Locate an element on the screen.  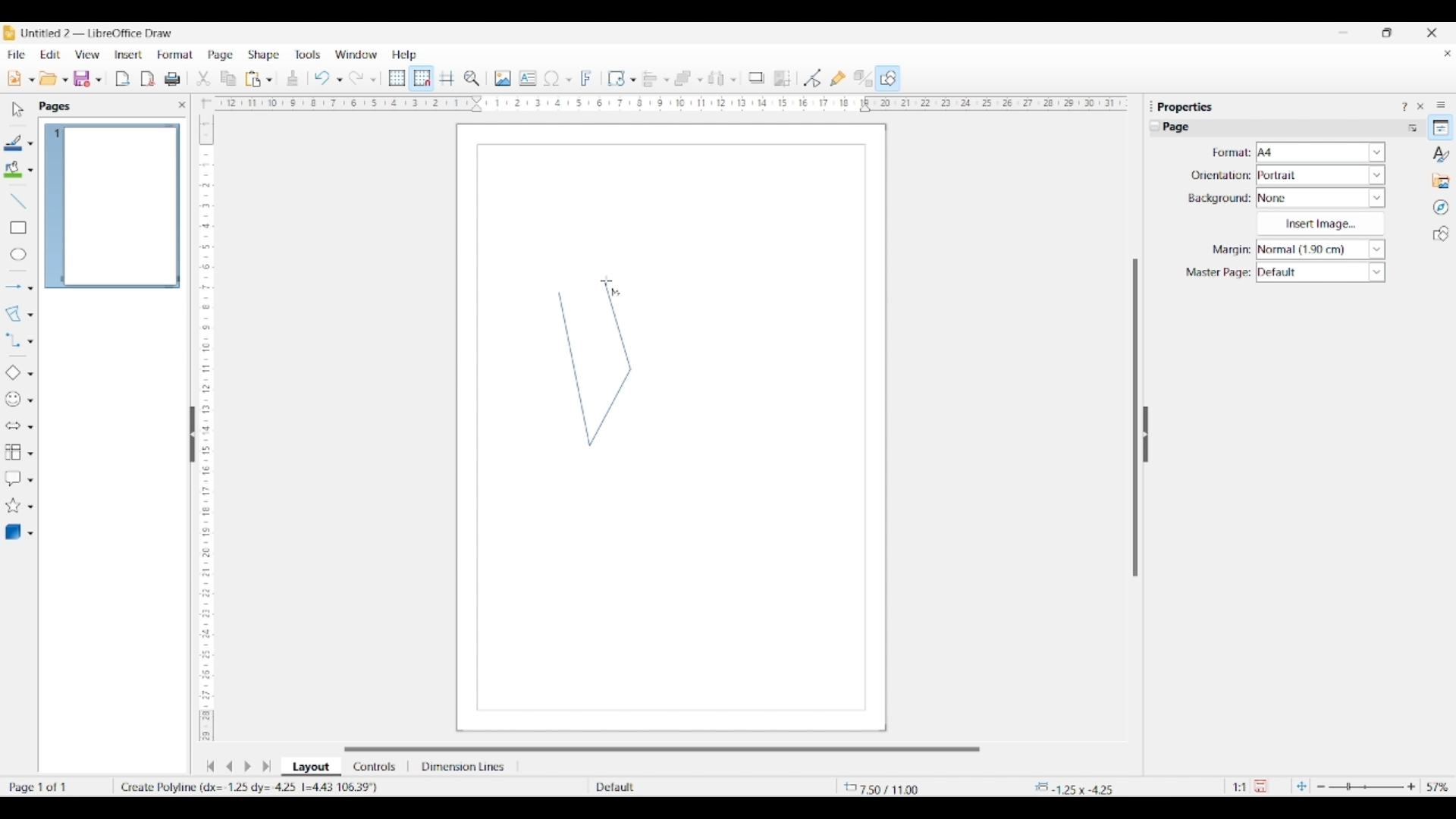
Align object options is located at coordinates (667, 80).